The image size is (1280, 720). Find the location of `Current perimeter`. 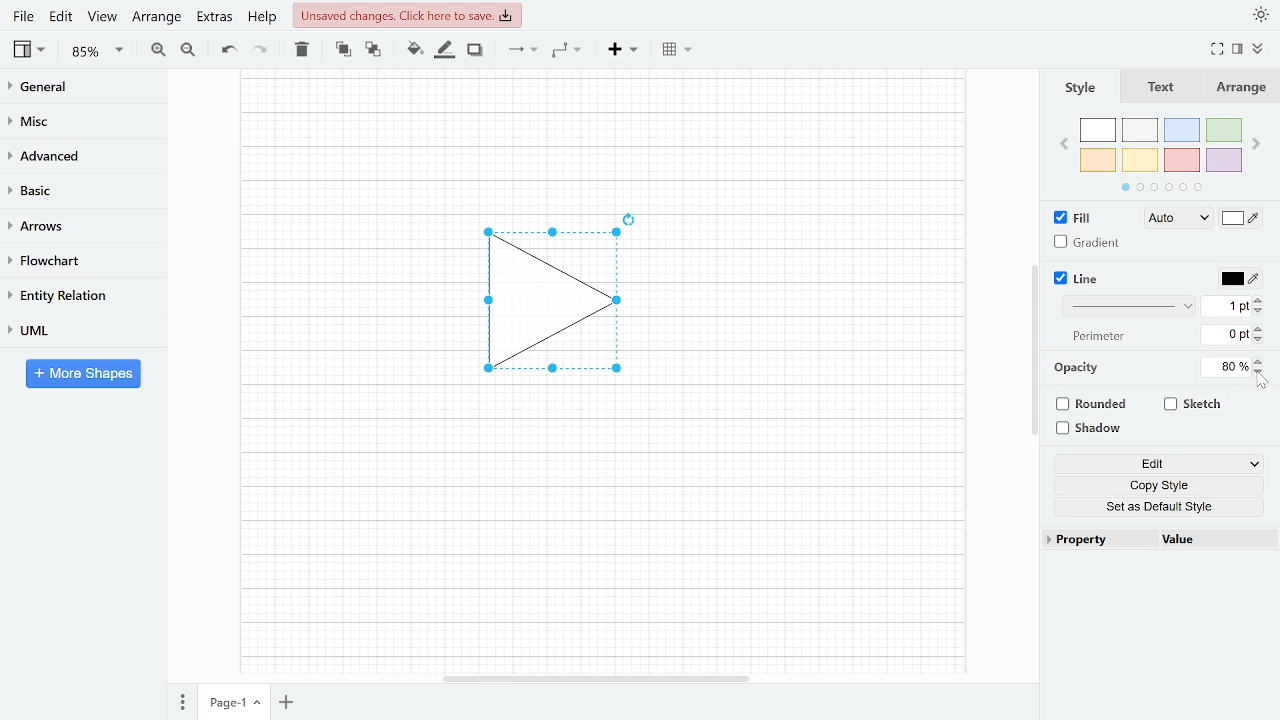

Current perimeter is located at coordinates (1226, 337).